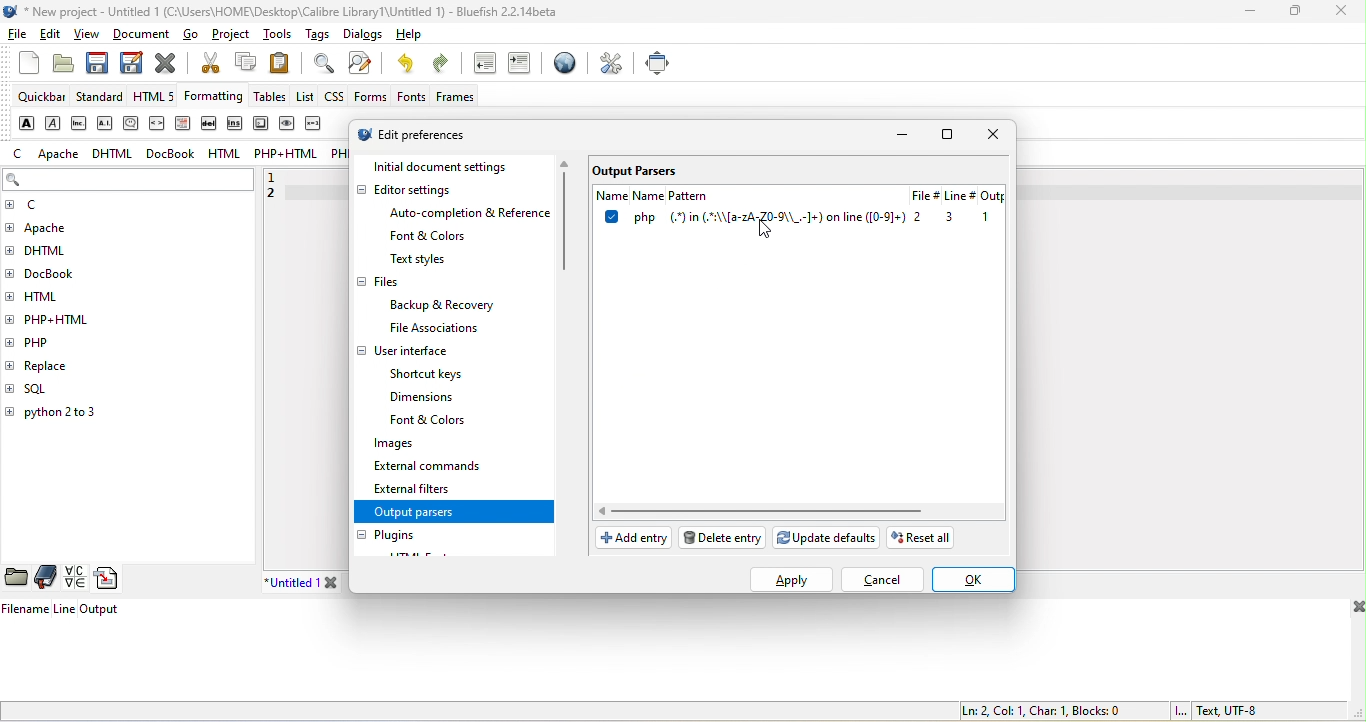 This screenshot has height=722, width=1366. What do you see at coordinates (925, 540) in the screenshot?
I see `reset all` at bounding box center [925, 540].